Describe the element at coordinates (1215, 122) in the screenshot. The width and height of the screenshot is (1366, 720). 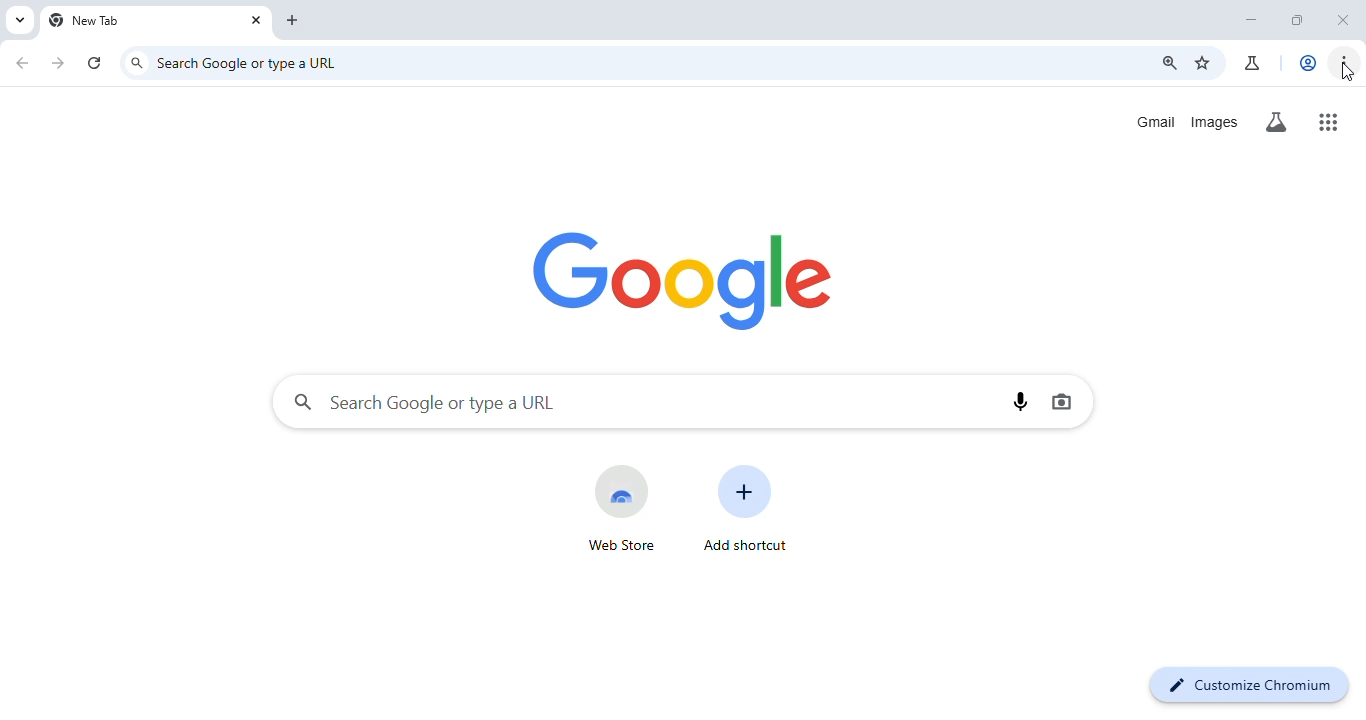
I see `images` at that location.